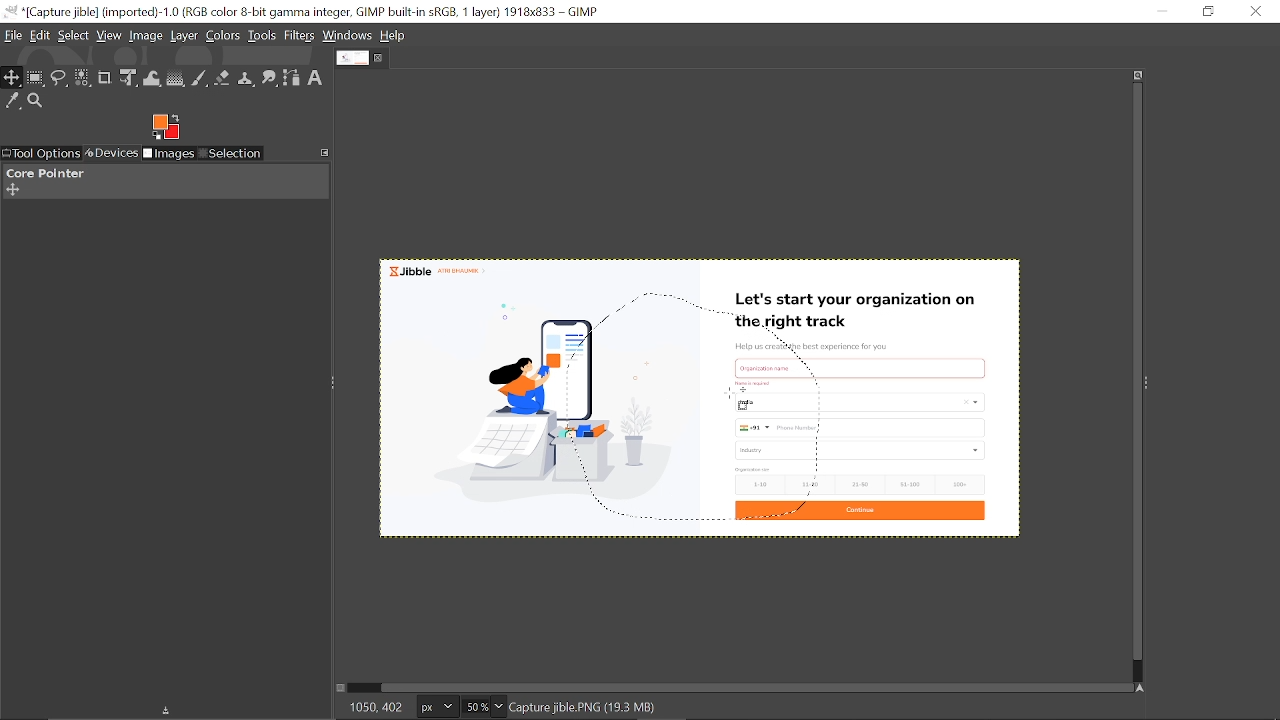  What do you see at coordinates (222, 80) in the screenshot?
I see `Eraser tool` at bounding box center [222, 80].